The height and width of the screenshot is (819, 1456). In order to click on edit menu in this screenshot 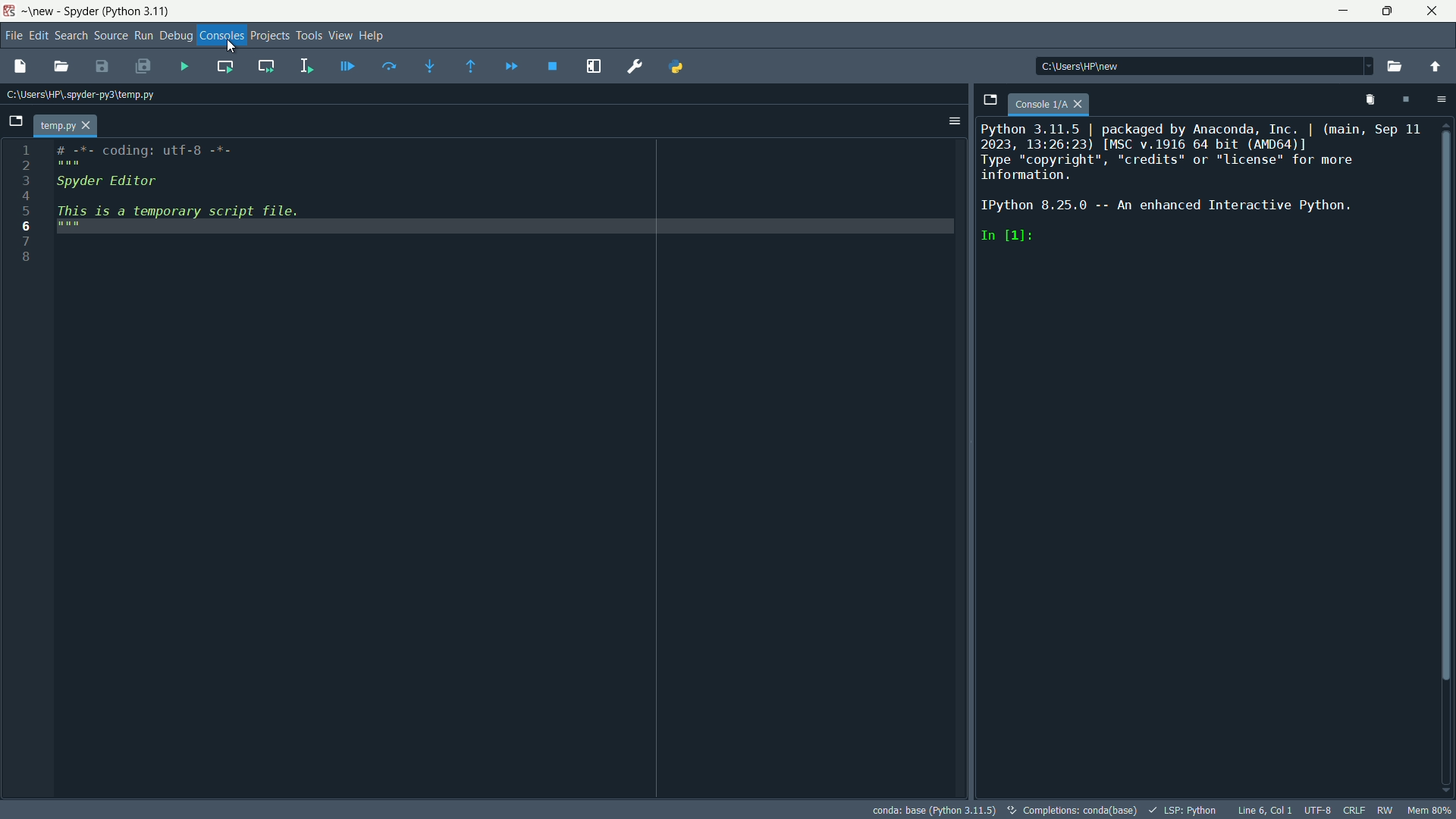, I will do `click(39, 35)`.